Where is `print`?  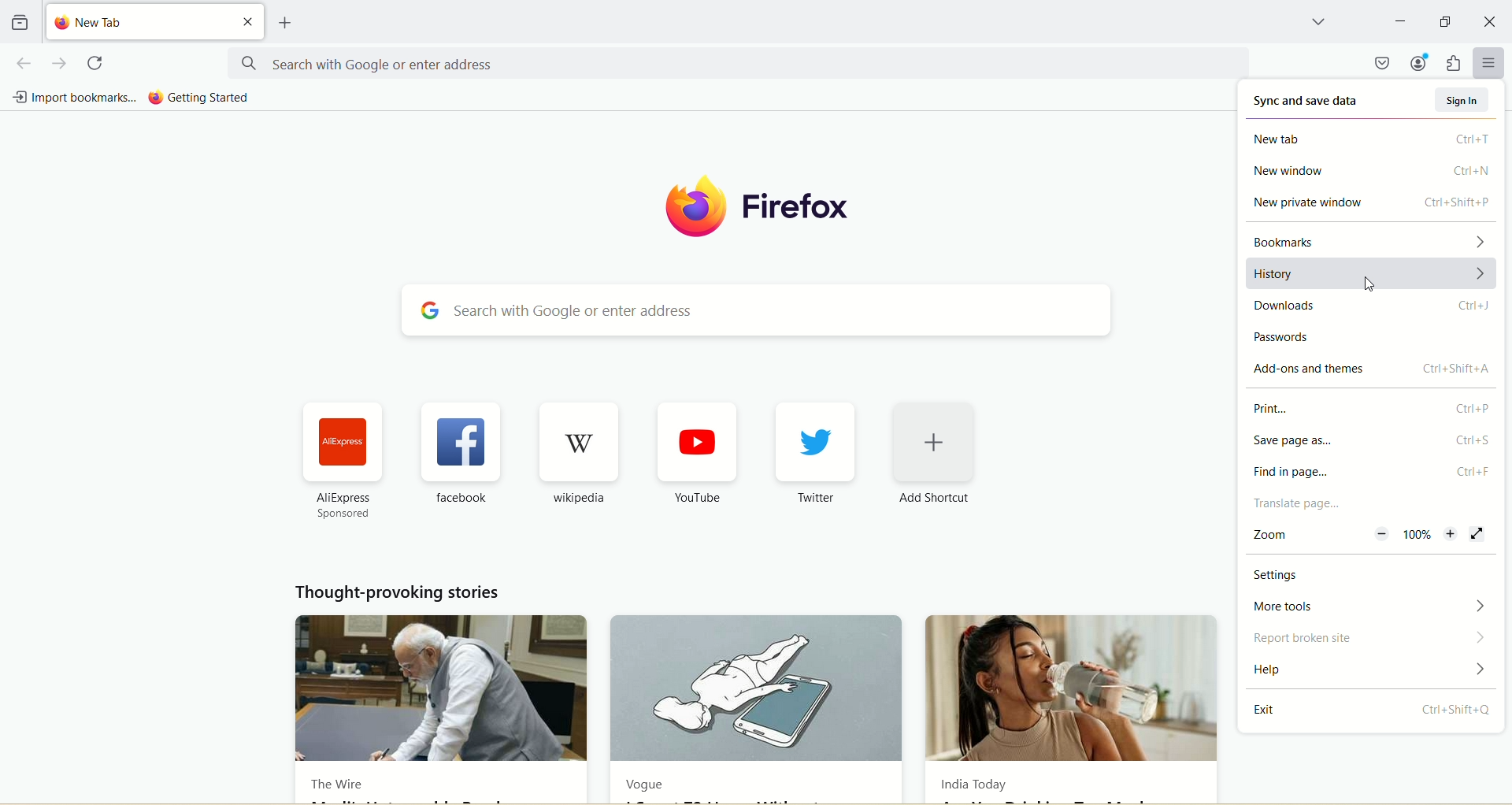
print is located at coordinates (1369, 406).